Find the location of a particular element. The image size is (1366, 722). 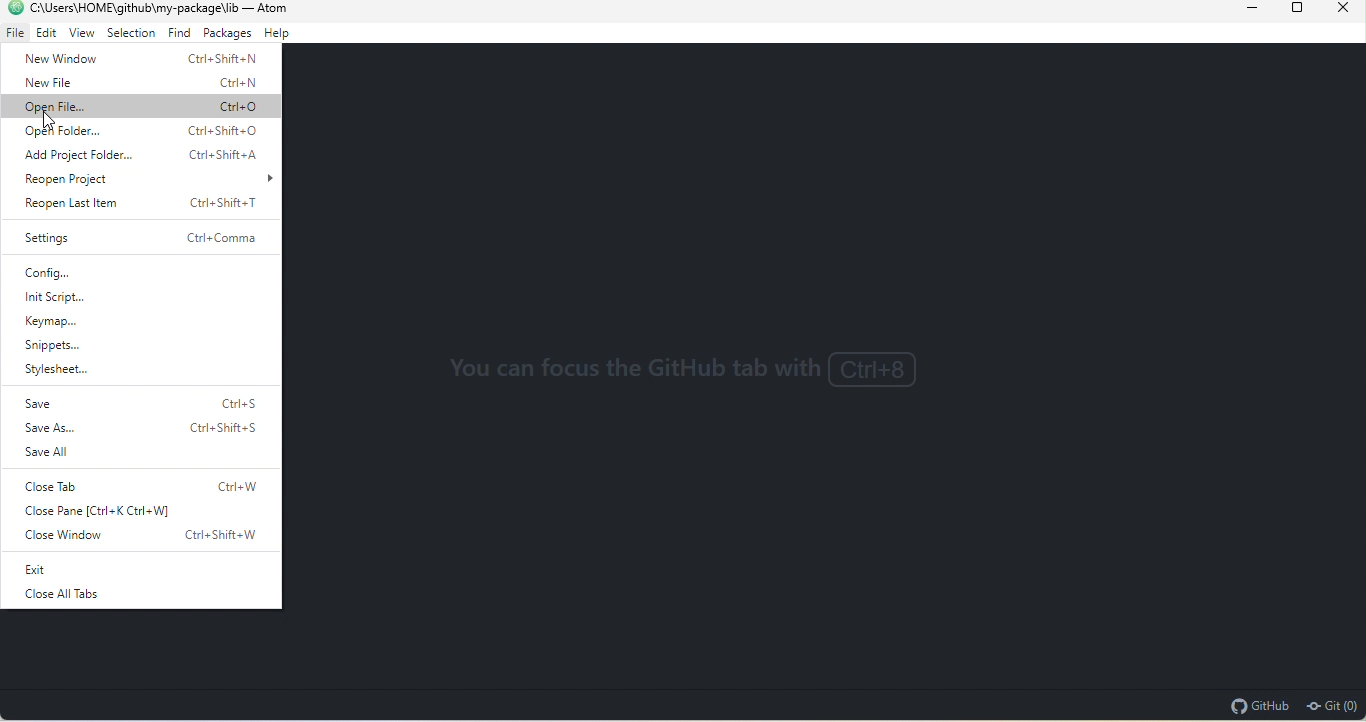

close tab is located at coordinates (148, 483).